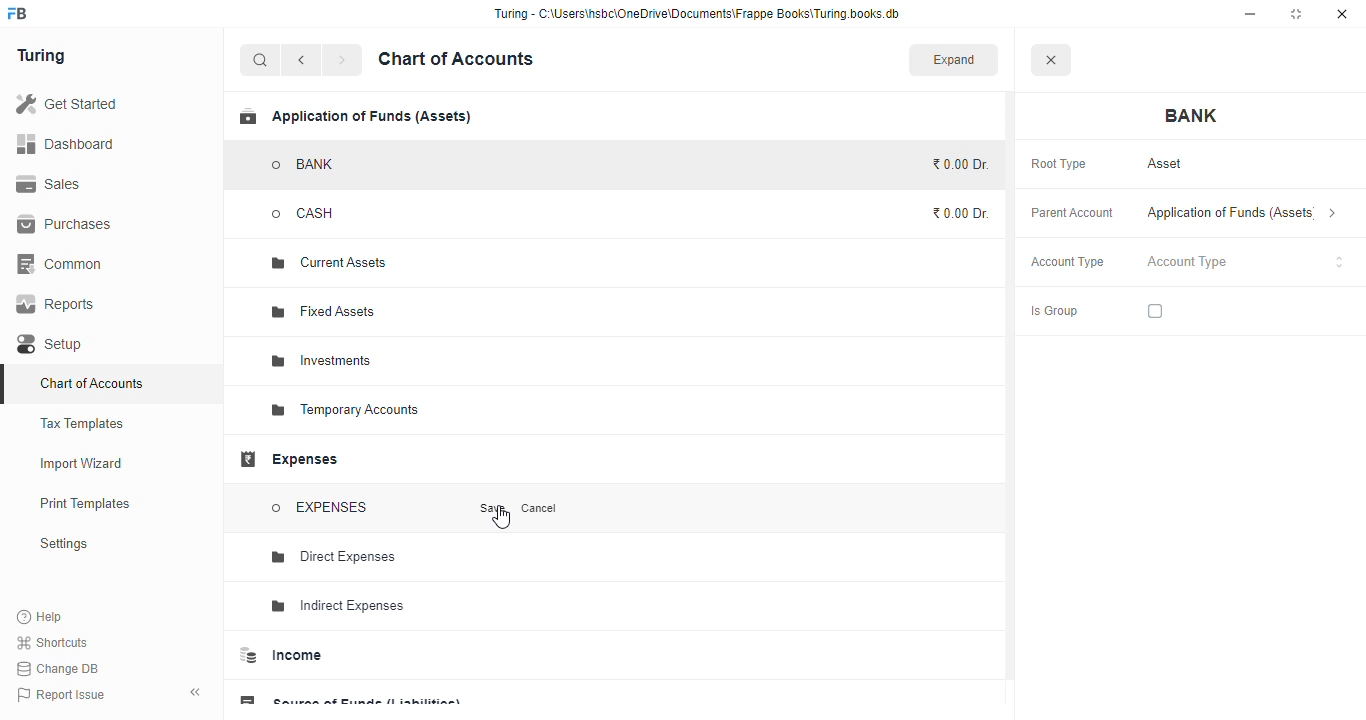  Describe the element at coordinates (52, 344) in the screenshot. I see `setup` at that location.